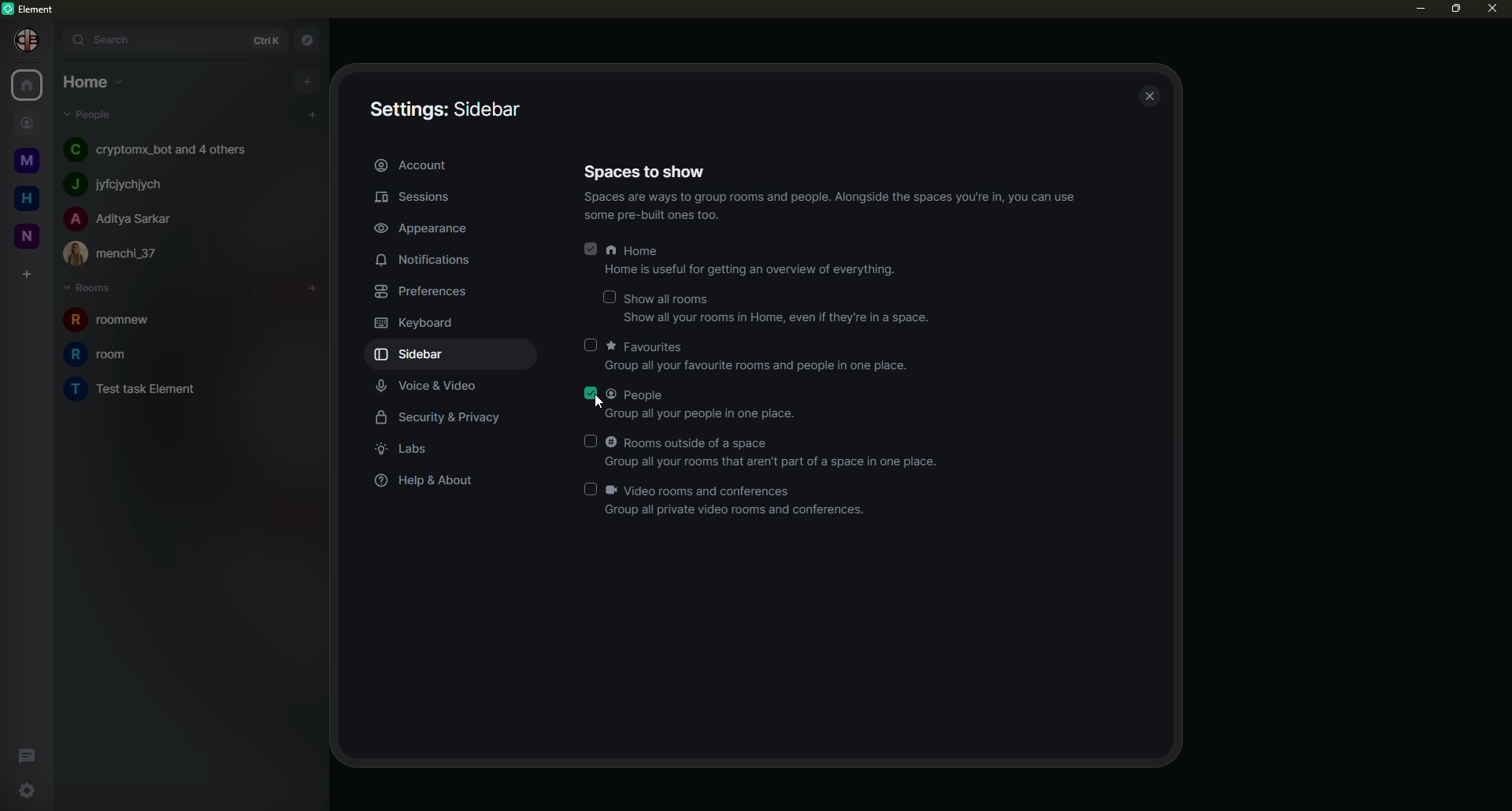 The image size is (1512, 811). Describe the element at coordinates (156, 149) in the screenshot. I see `people` at that location.